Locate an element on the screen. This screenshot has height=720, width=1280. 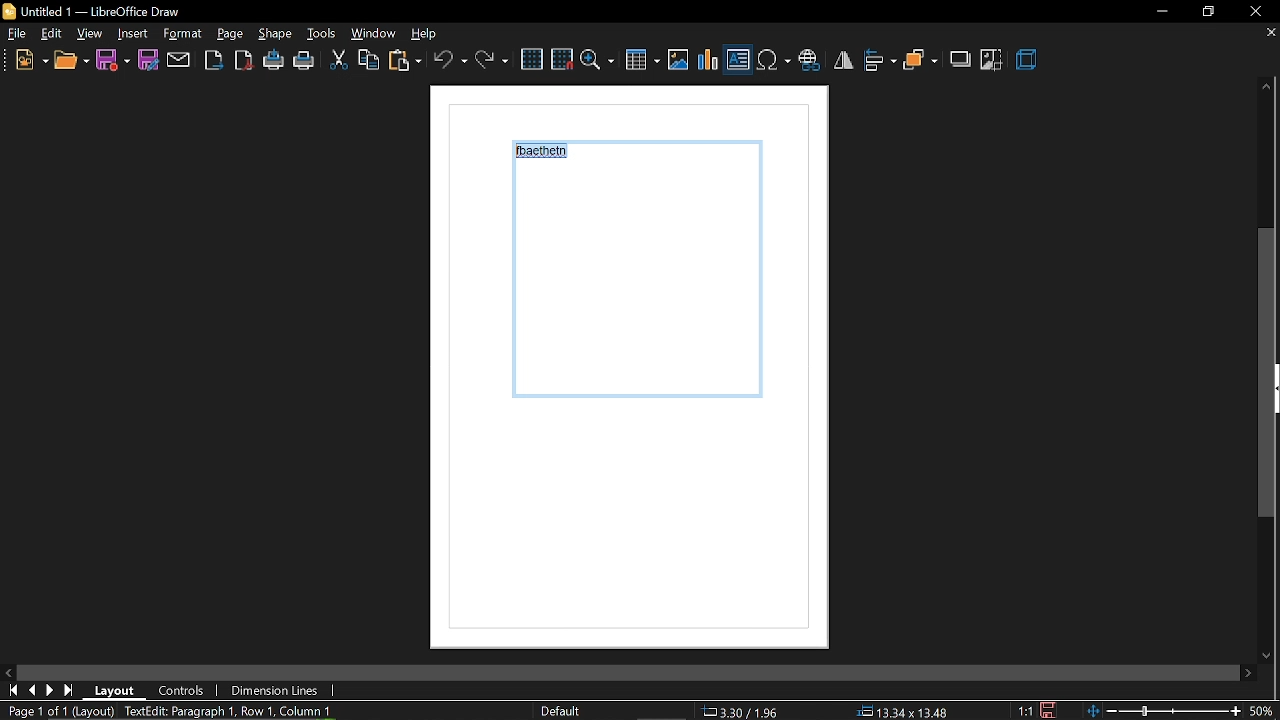
print is located at coordinates (304, 63).